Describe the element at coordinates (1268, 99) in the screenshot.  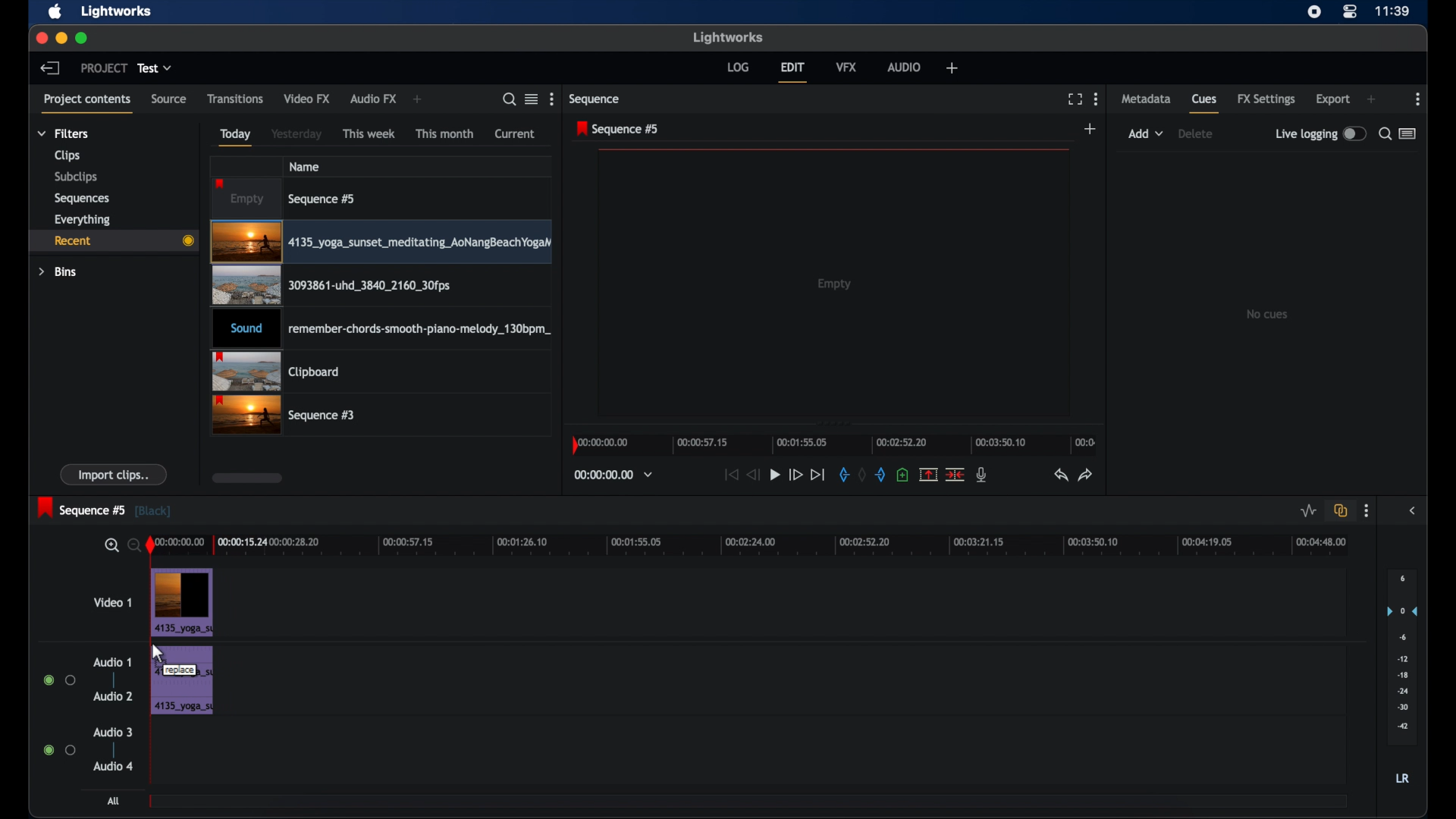
I see `fx settings` at that location.